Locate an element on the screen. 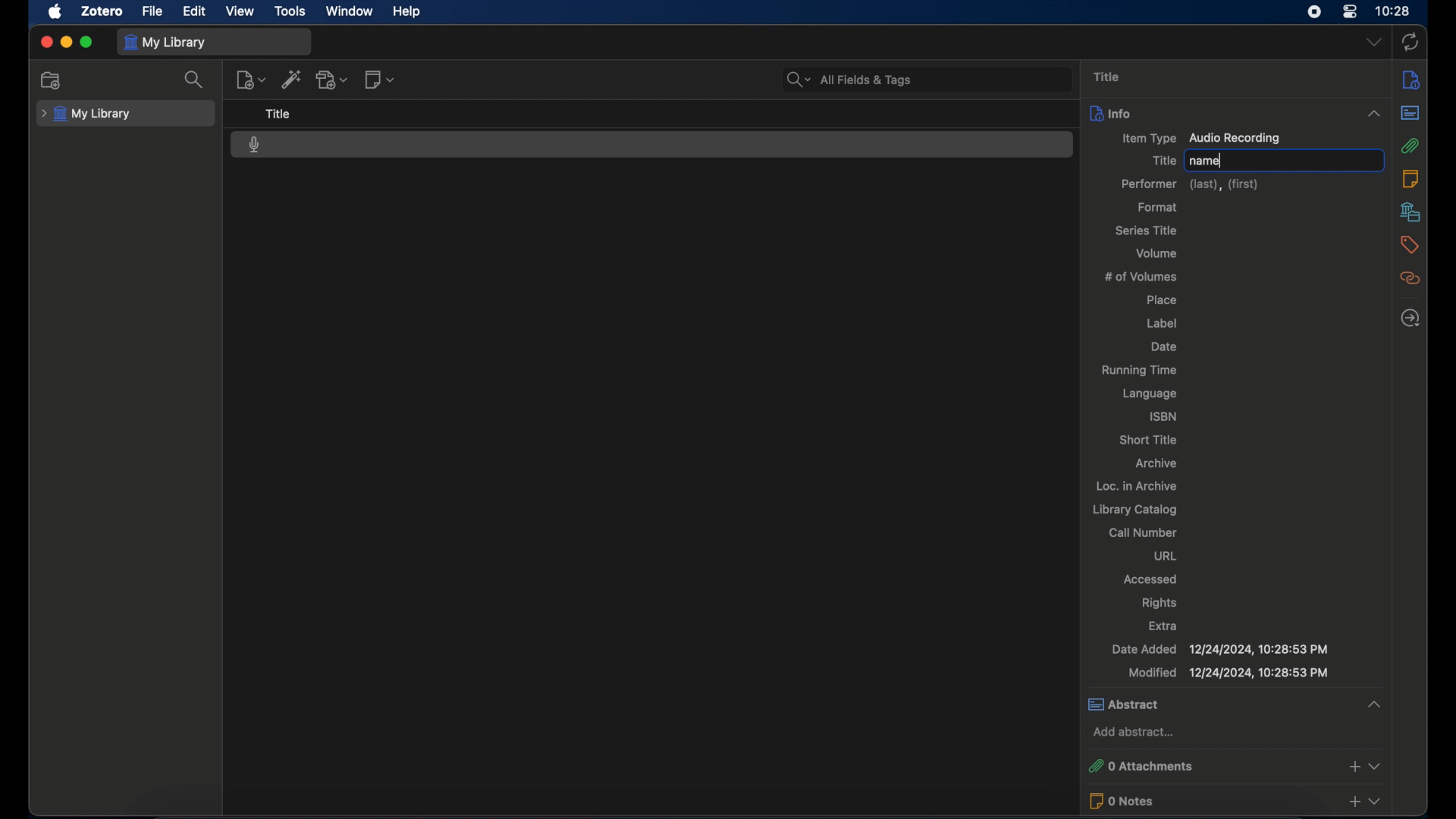 Image resolution: width=1456 pixels, height=819 pixels. title is located at coordinates (1162, 161).